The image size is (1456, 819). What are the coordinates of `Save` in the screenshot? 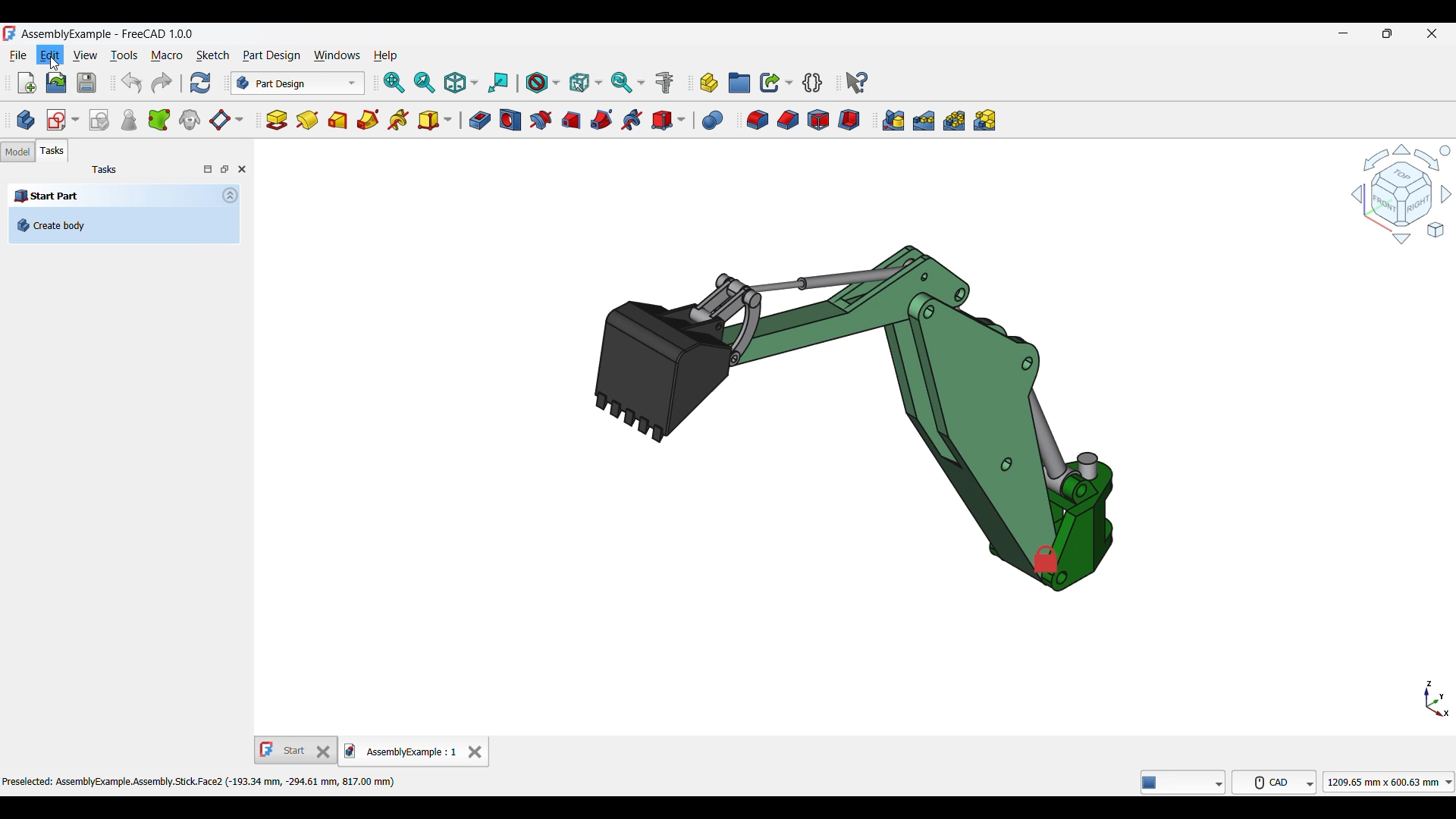 It's located at (87, 83).